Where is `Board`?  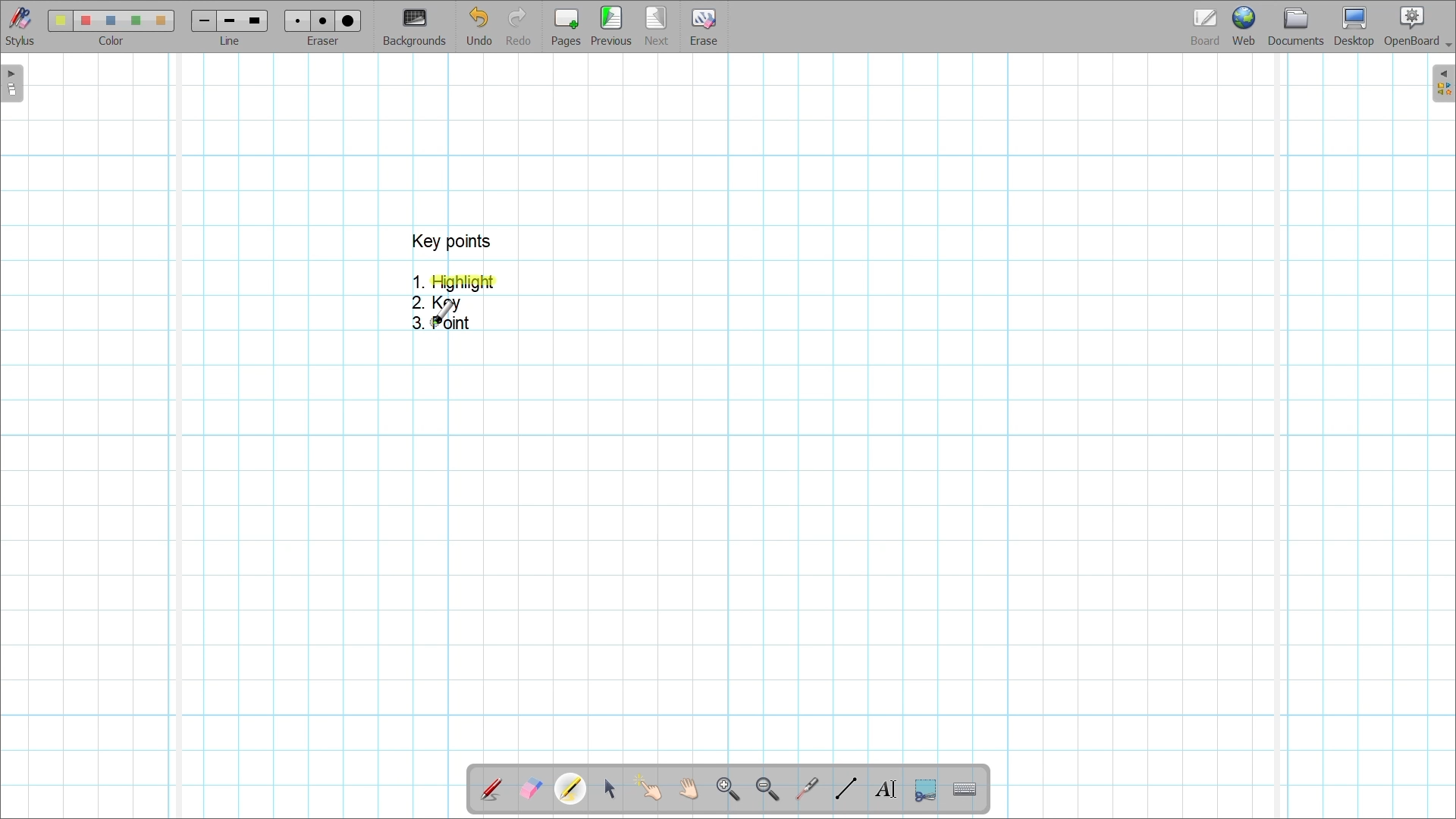 Board is located at coordinates (1206, 27).